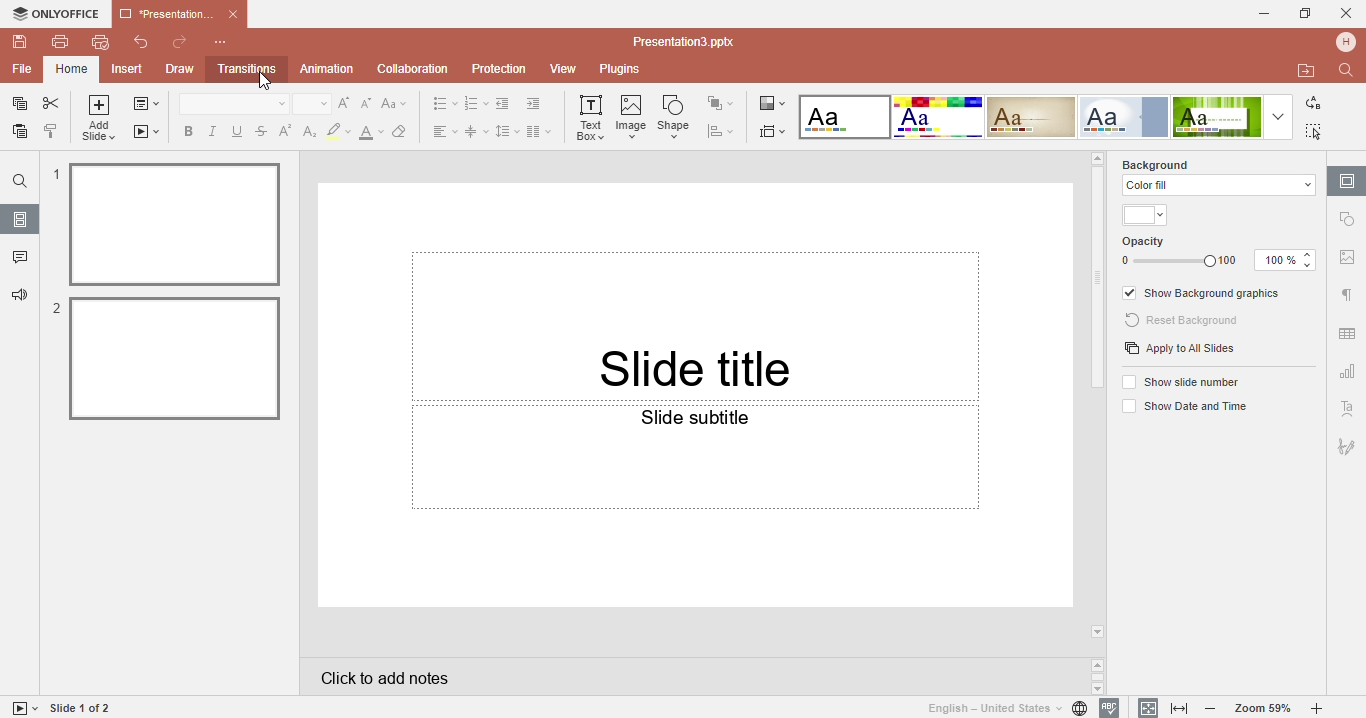 The width and height of the screenshot is (1366, 718). What do you see at coordinates (1346, 374) in the screenshot?
I see `Chart setting` at bounding box center [1346, 374].